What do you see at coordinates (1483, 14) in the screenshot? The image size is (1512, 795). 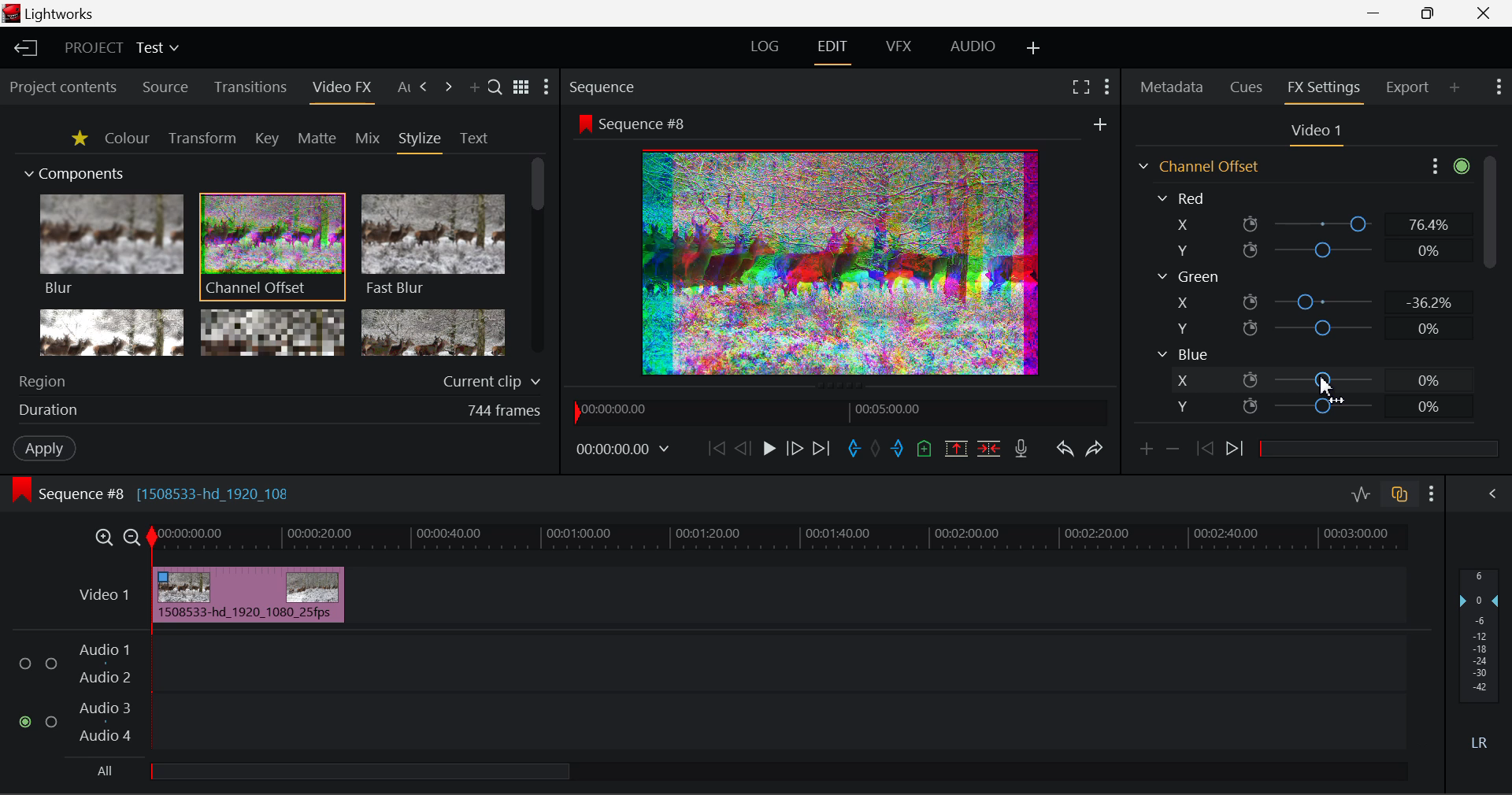 I see `Close` at bounding box center [1483, 14].